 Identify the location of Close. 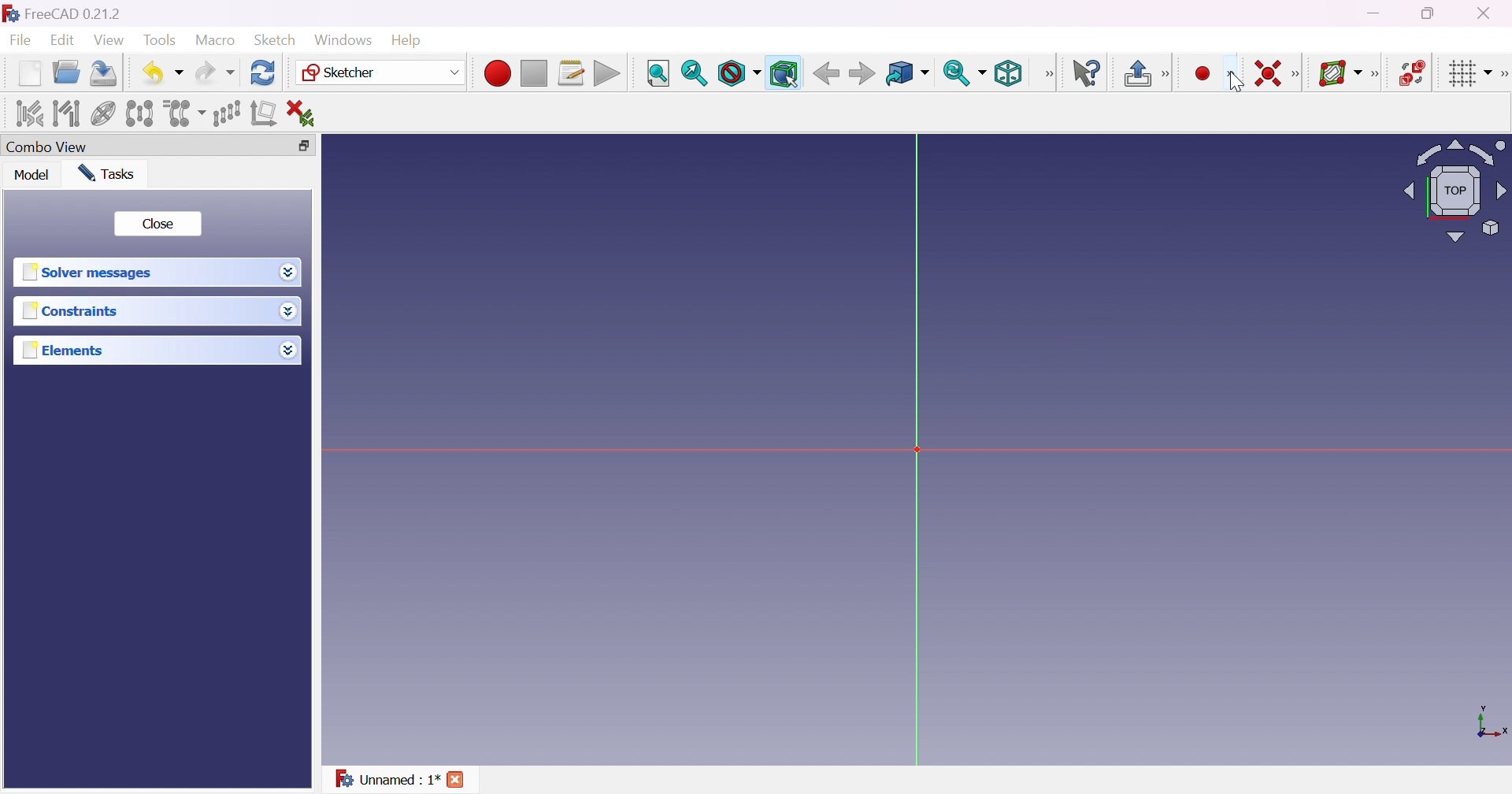
(457, 778).